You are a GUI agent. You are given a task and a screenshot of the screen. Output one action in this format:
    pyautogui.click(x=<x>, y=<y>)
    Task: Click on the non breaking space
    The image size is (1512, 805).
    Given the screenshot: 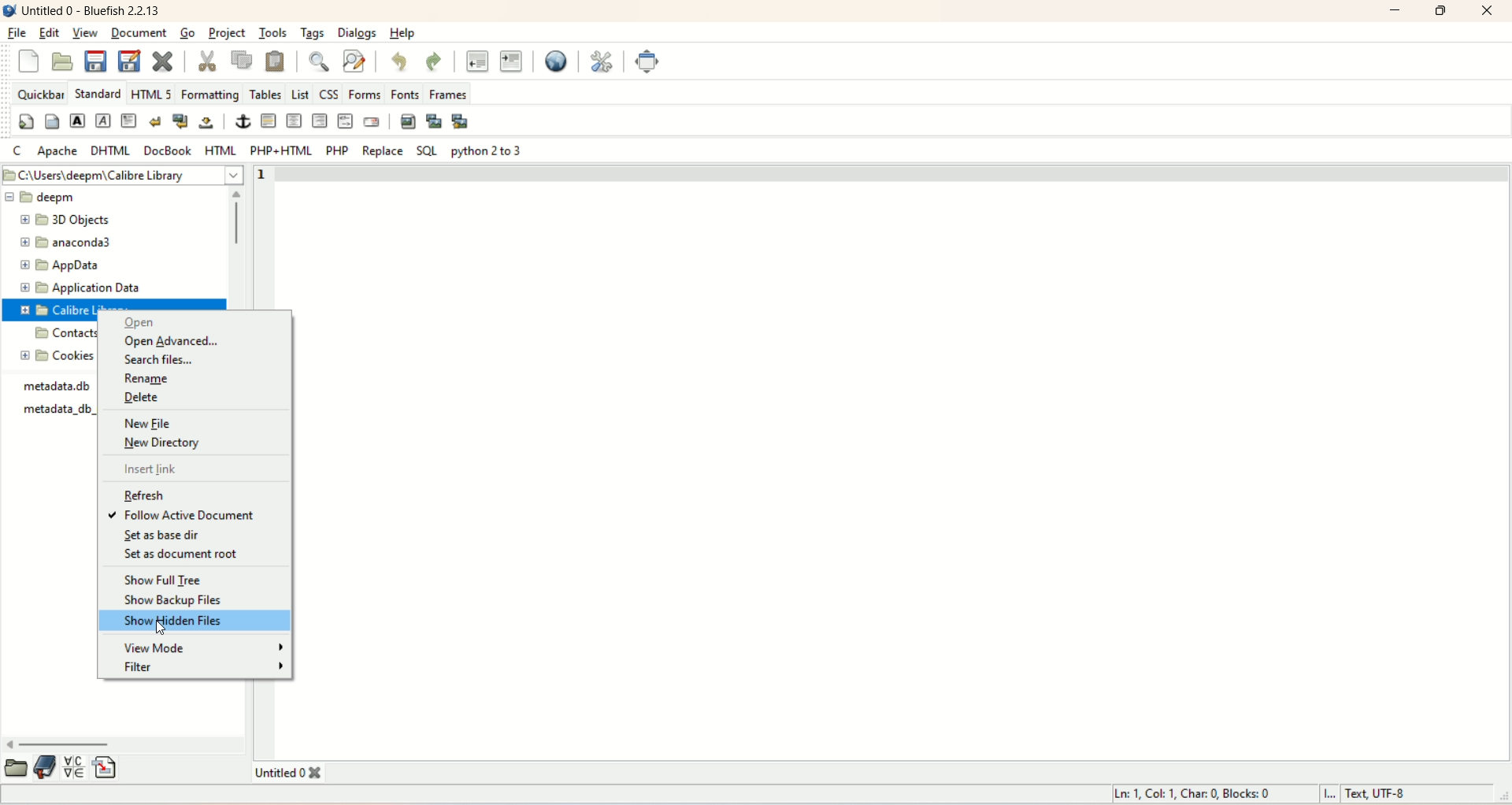 What is the action you would take?
    pyautogui.click(x=207, y=124)
    